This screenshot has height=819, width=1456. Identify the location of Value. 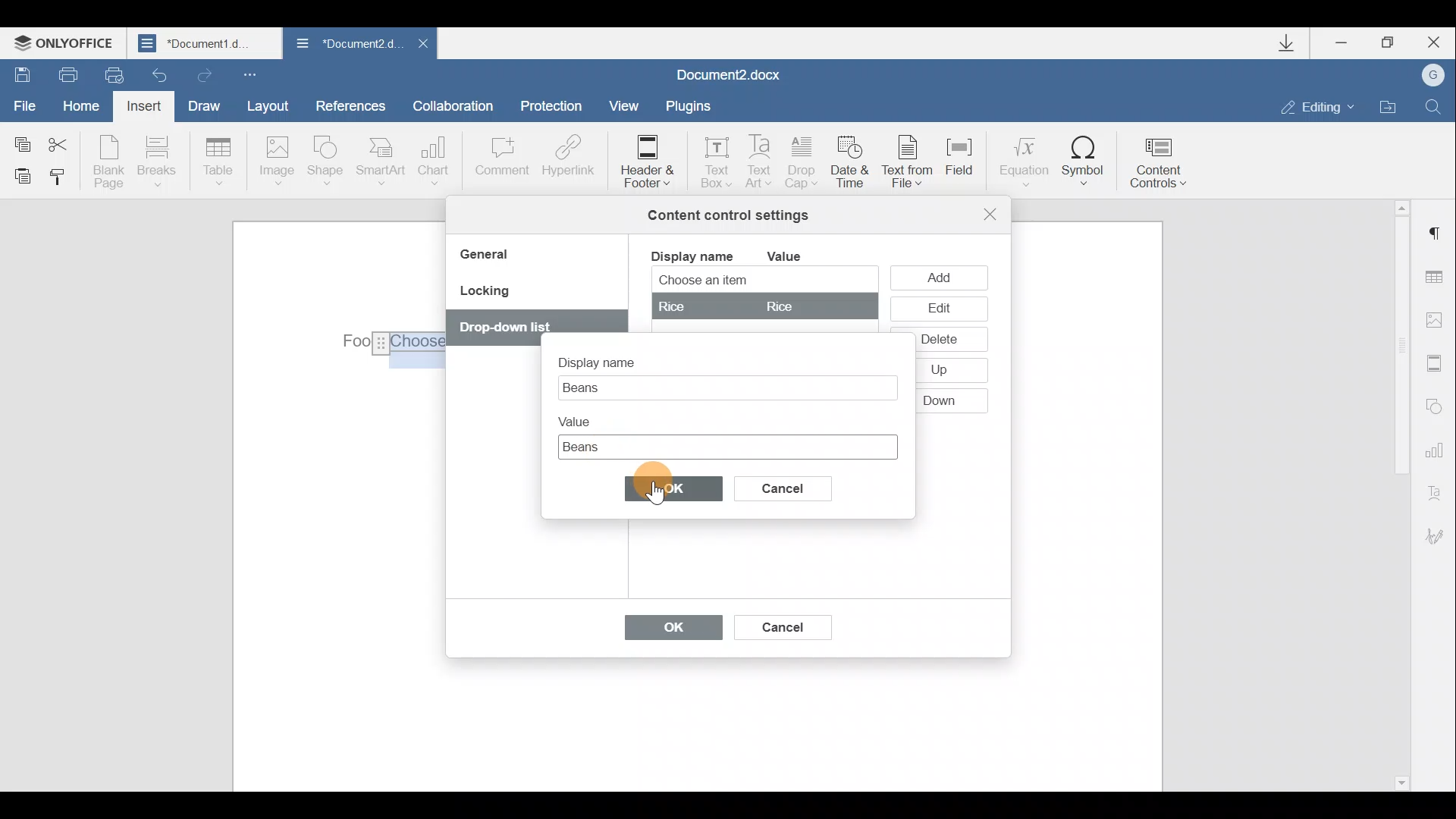
(796, 256).